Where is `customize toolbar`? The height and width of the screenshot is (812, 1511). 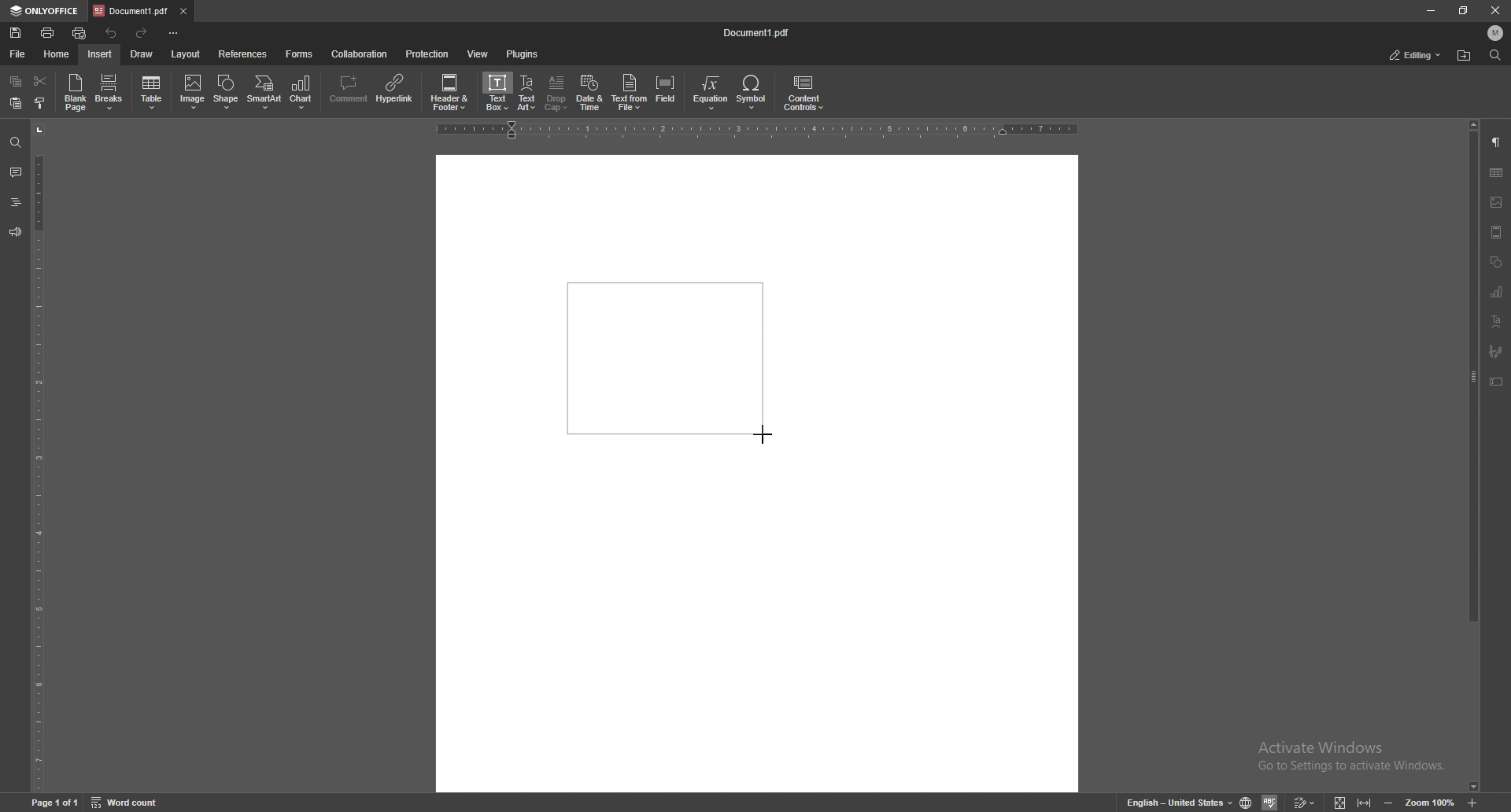
customize toolbar is located at coordinates (172, 31).